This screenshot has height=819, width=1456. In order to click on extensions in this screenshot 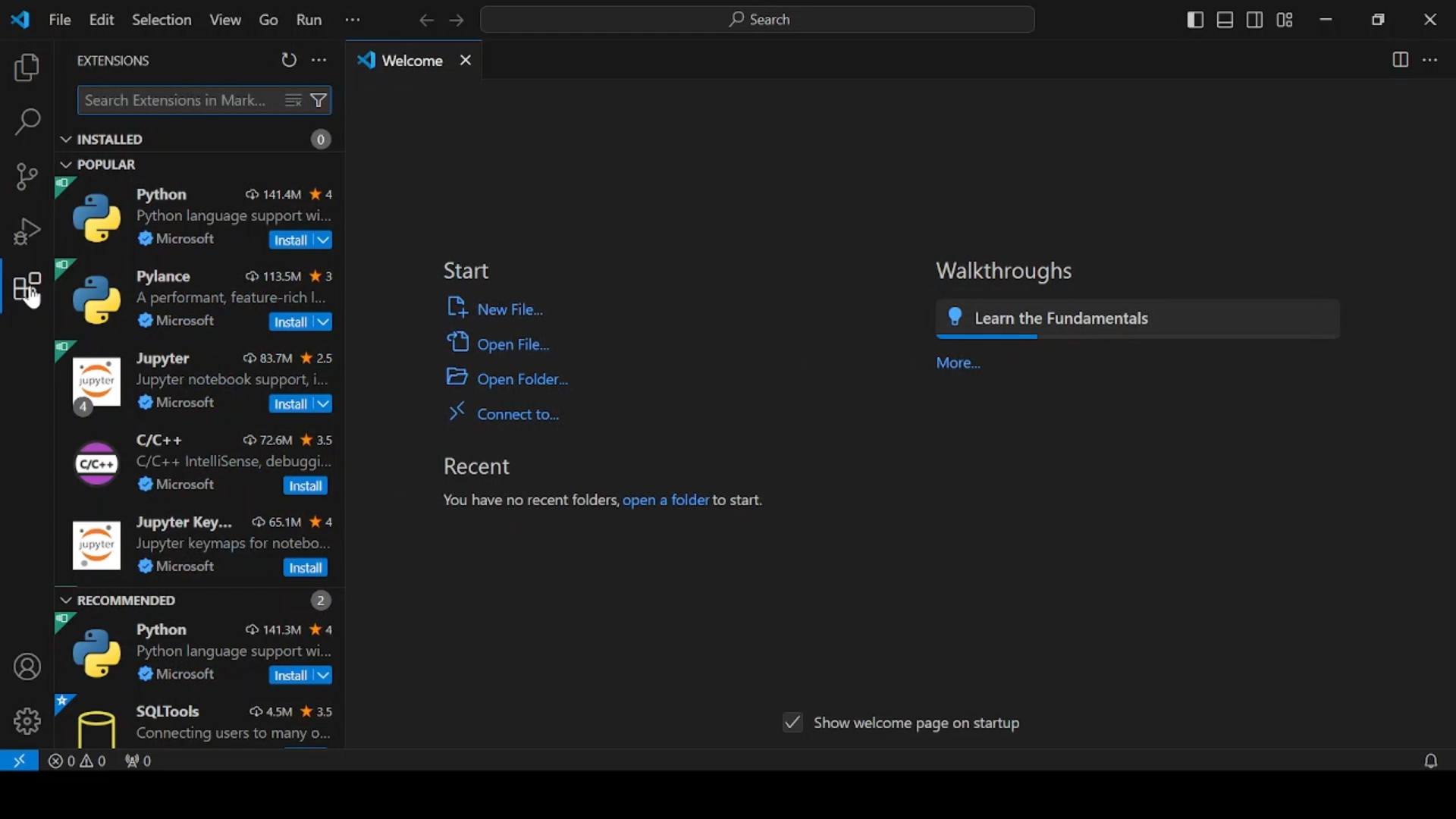, I will do `click(27, 284)`.